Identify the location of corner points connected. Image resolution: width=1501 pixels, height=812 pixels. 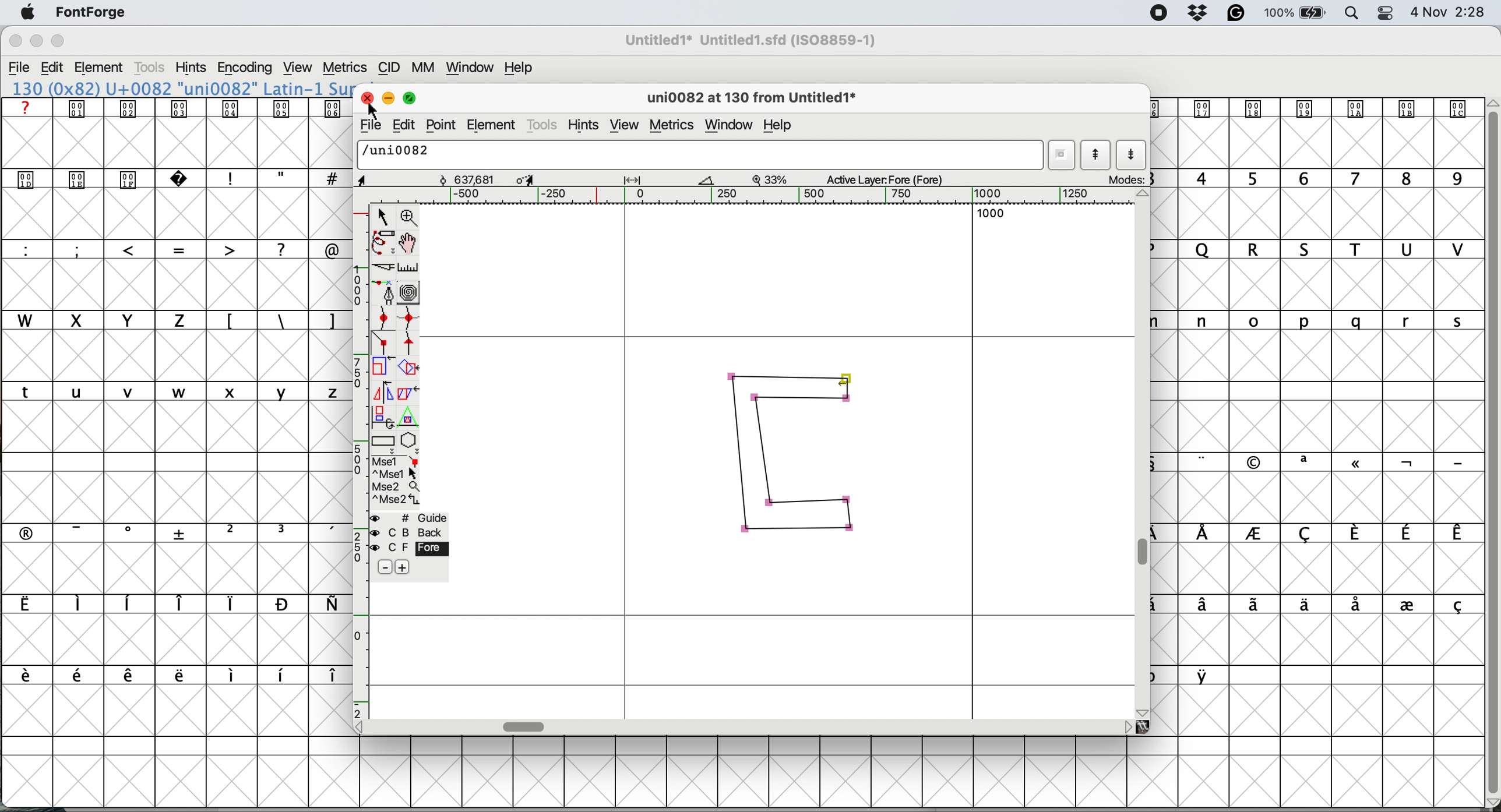
(737, 454).